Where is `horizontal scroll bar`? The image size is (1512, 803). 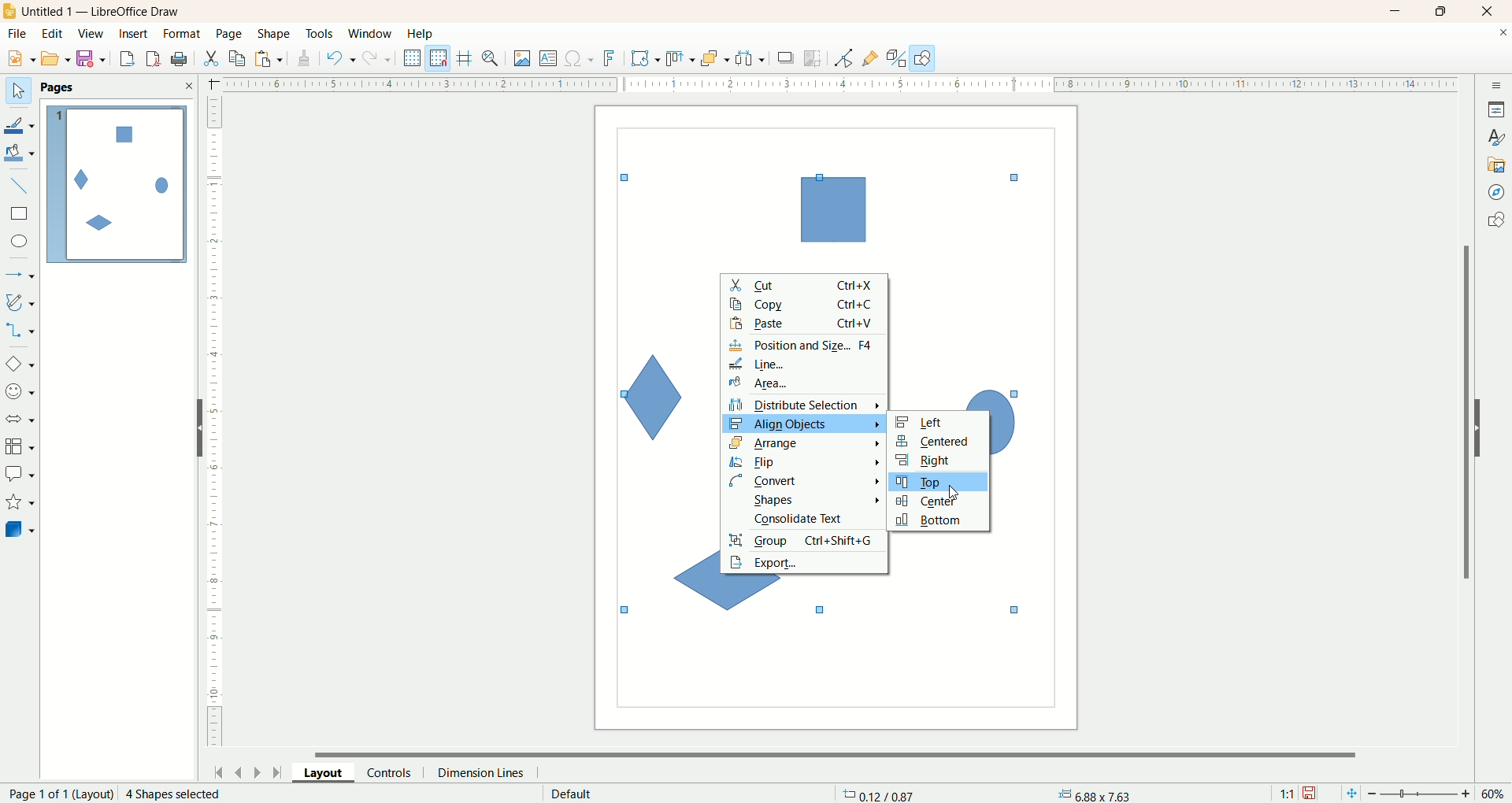
horizontal scroll bar is located at coordinates (845, 753).